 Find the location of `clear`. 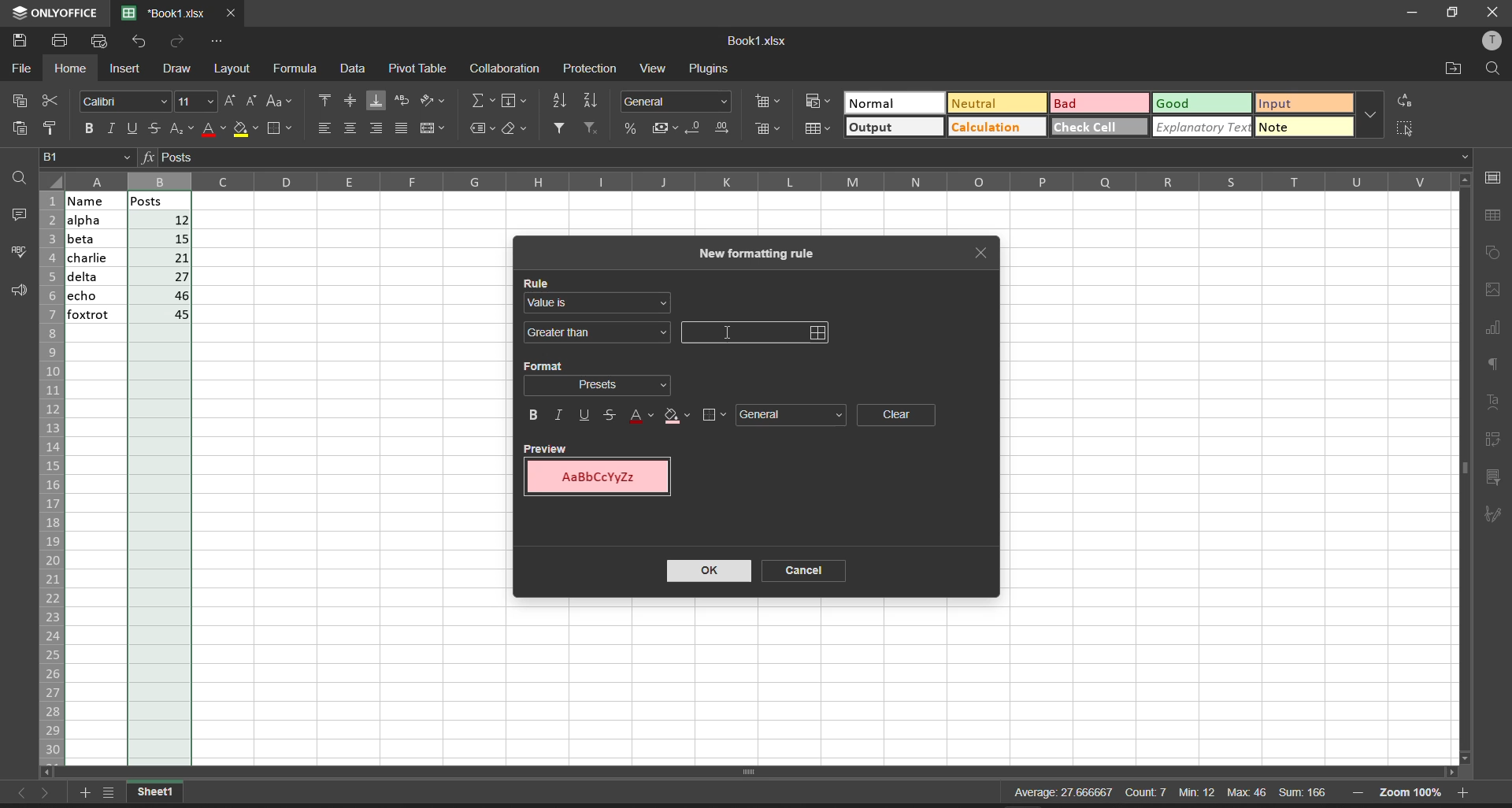

clear is located at coordinates (898, 416).